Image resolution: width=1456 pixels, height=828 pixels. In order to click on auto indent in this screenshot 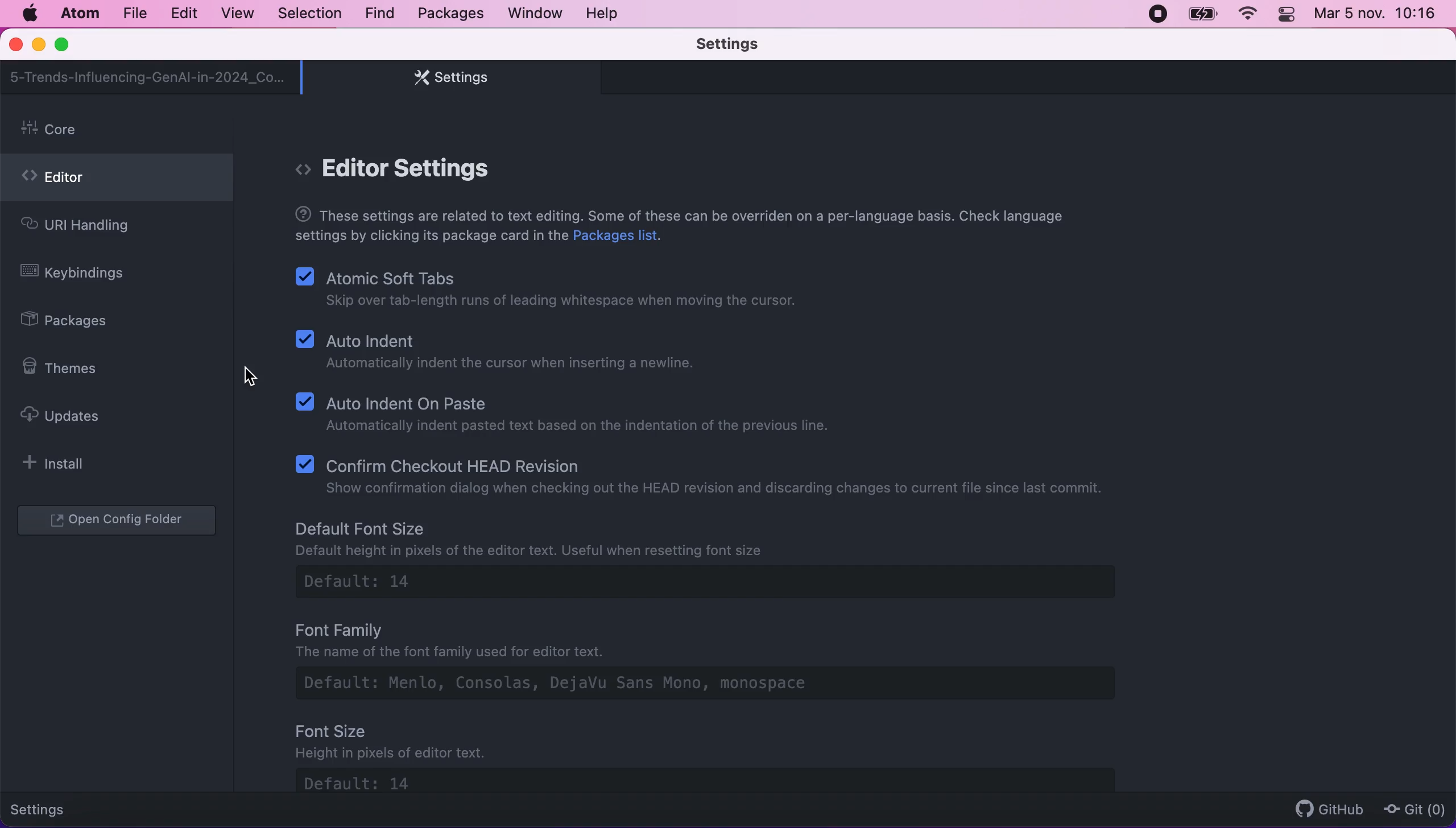, I will do `click(503, 355)`.